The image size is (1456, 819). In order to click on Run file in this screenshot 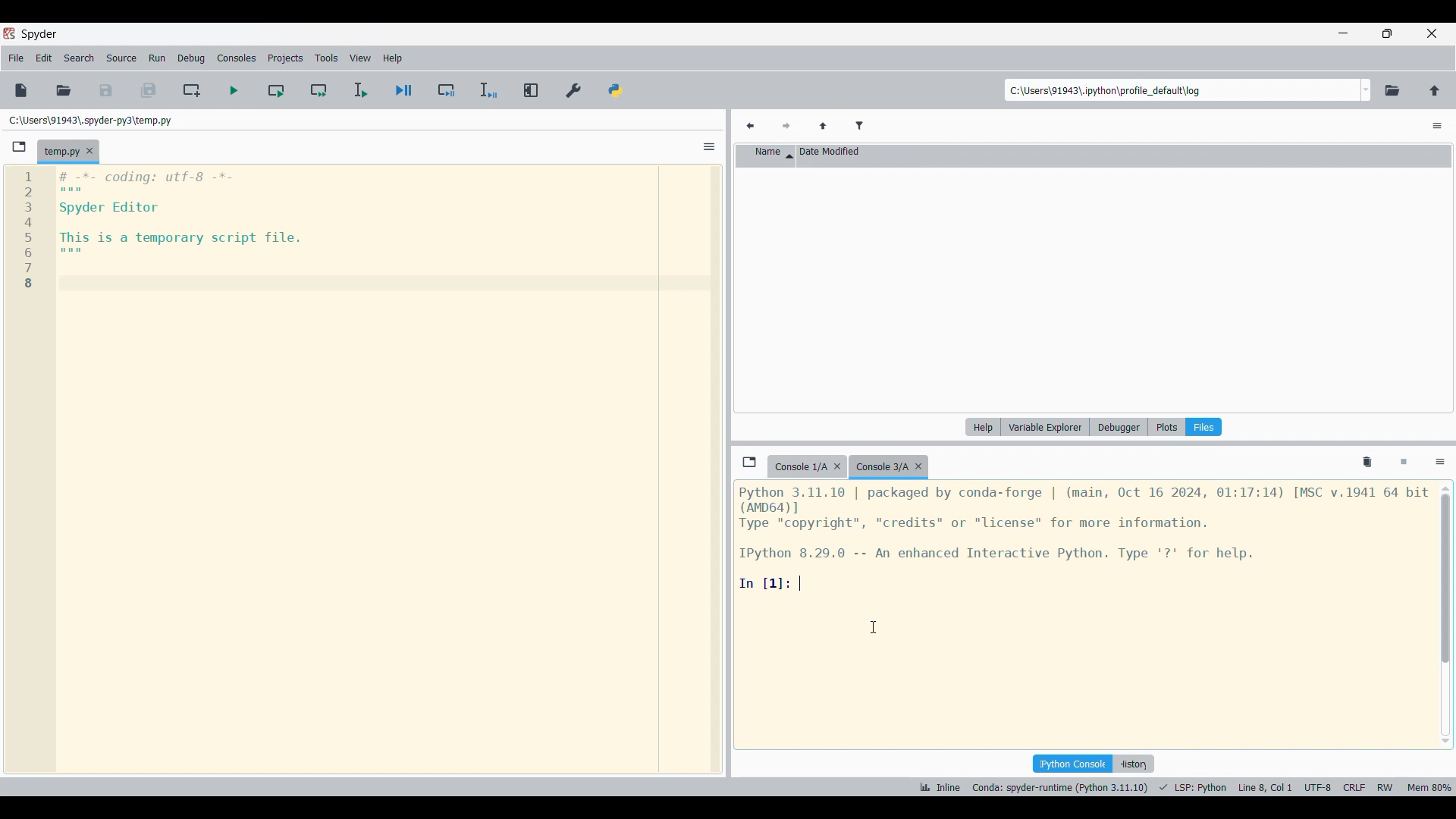, I will do `click(234, 90)`.